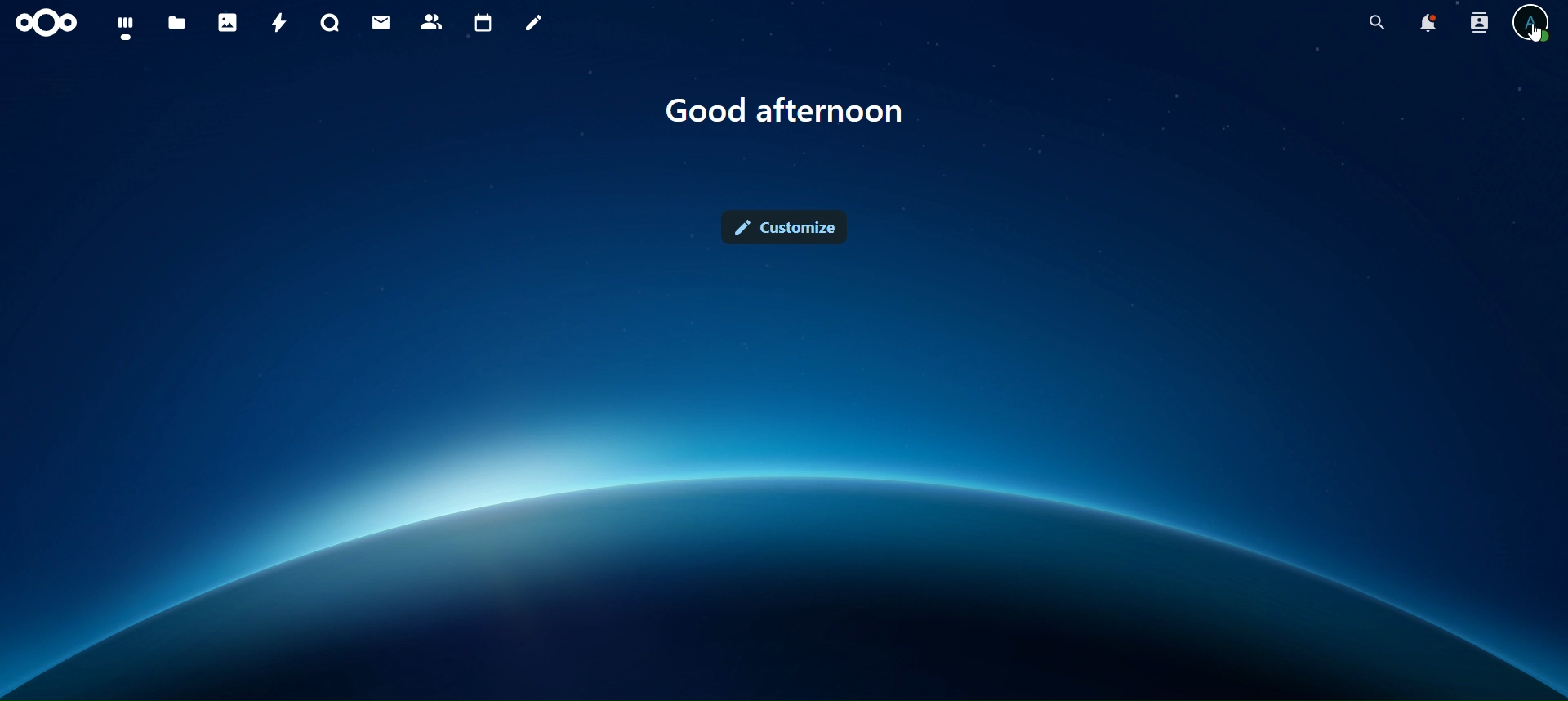  Describe the element at coordinates (1479, 23) in the screenshot. I see `search contacts` at that location.